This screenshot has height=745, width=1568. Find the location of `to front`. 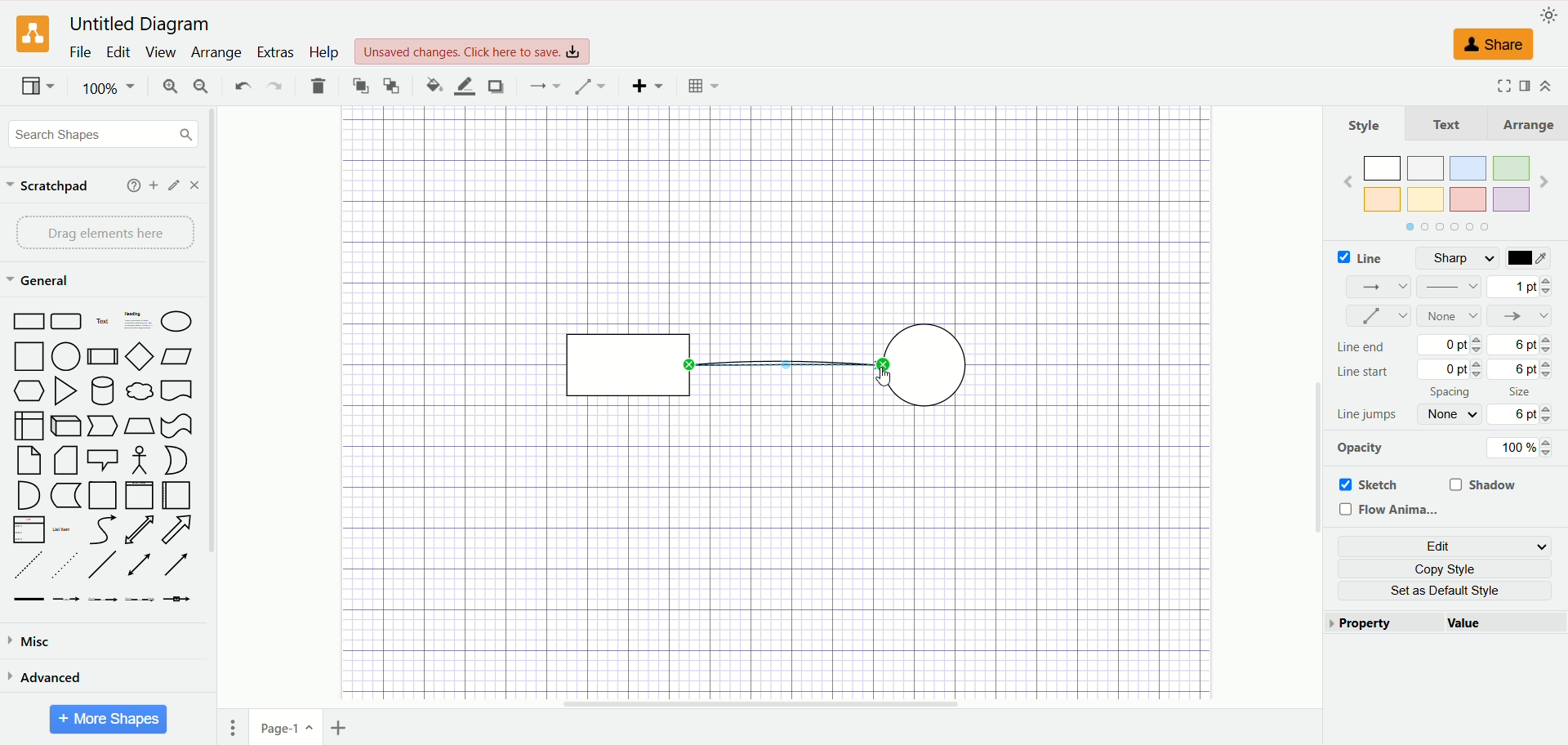

to front is located at coordinates (359, 84).